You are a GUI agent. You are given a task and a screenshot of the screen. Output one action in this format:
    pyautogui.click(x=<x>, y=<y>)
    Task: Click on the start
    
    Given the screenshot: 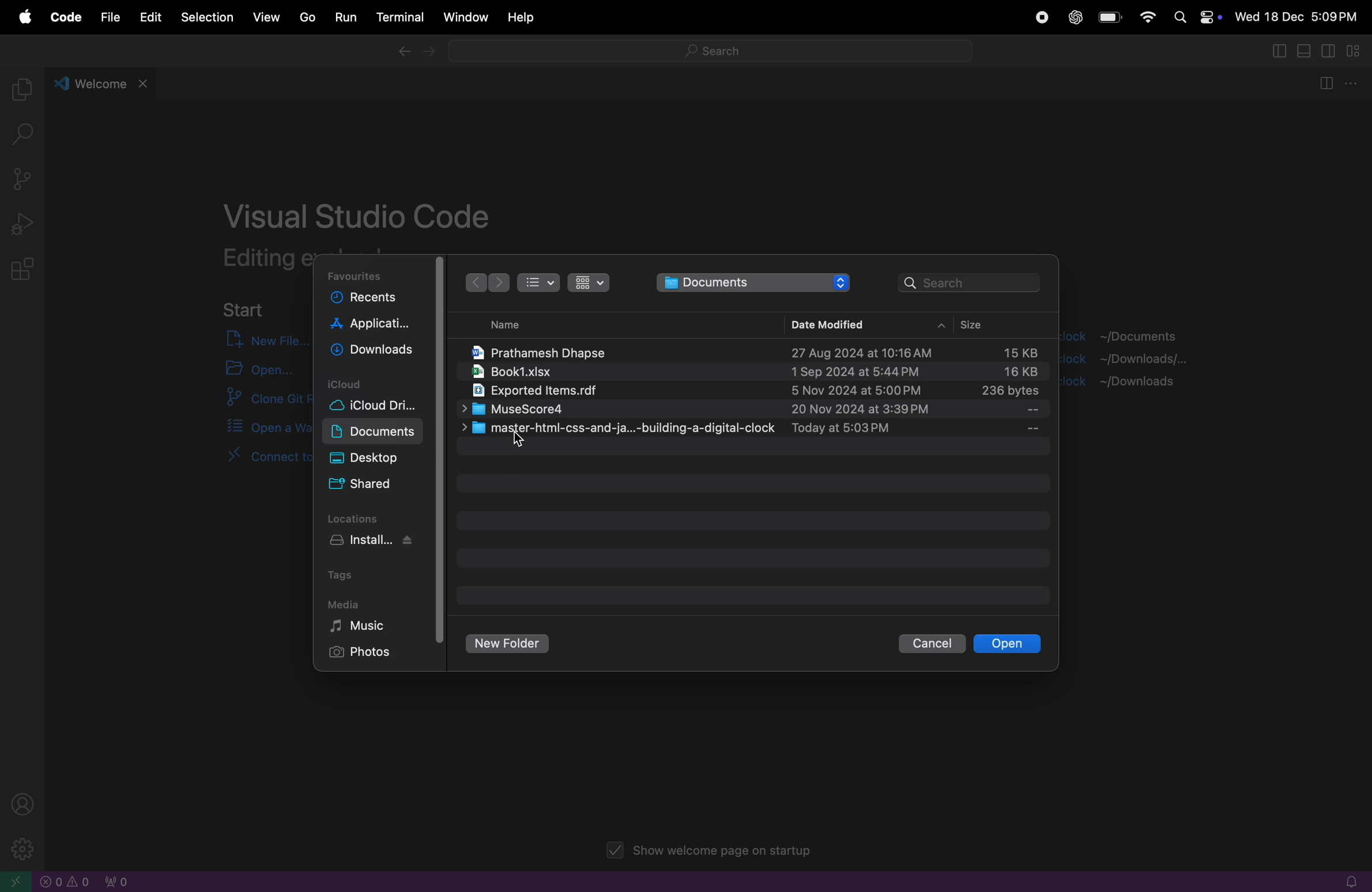 What is the action you would take?
    pyautogui.click(x=244, y=308)
    